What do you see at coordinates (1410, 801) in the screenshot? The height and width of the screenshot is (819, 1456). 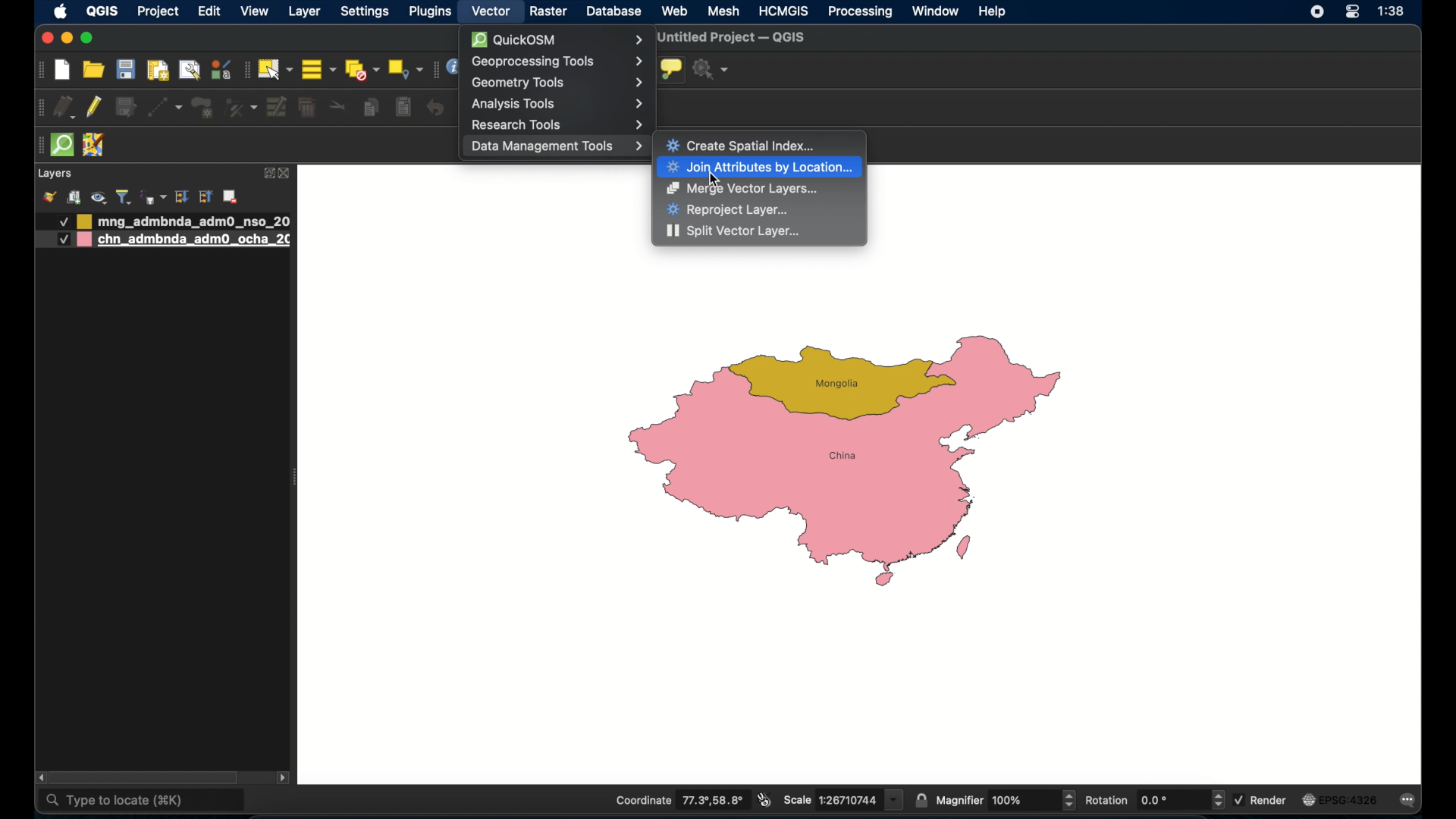 I see `messages` at bounding box center [1410, 801].